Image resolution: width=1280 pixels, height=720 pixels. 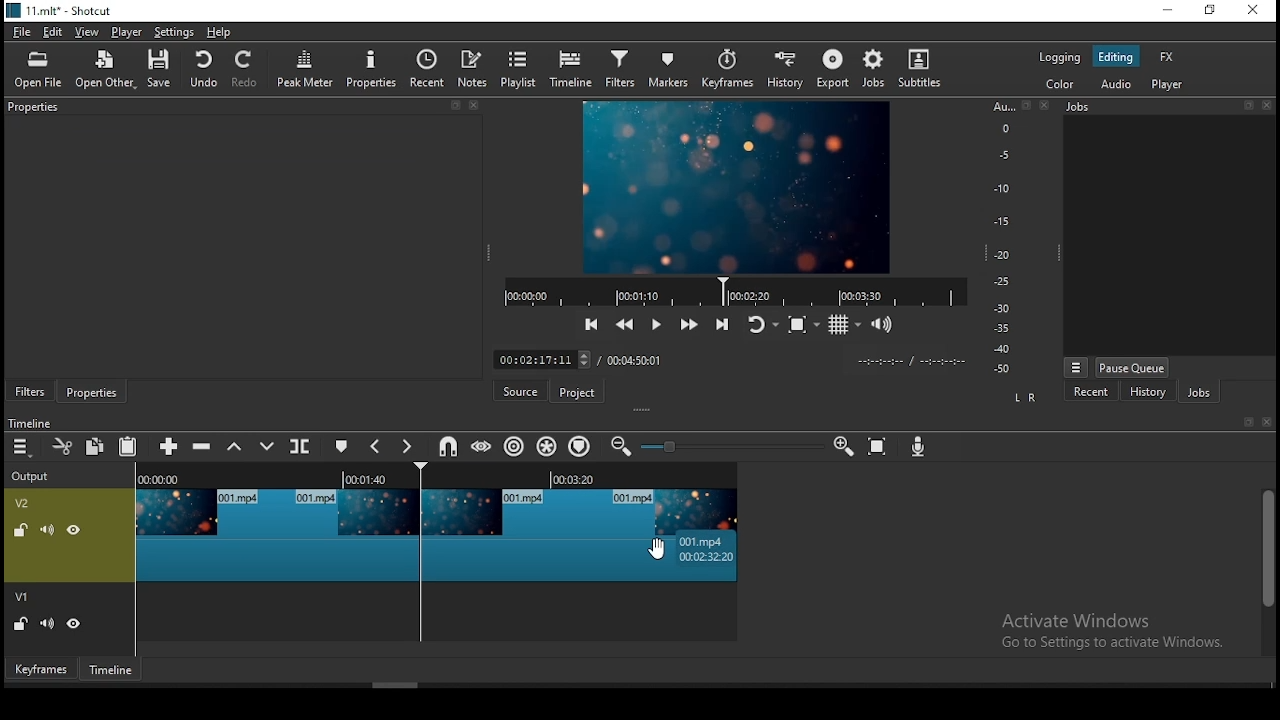 I want to click on properties, so click(x=95, y=393).